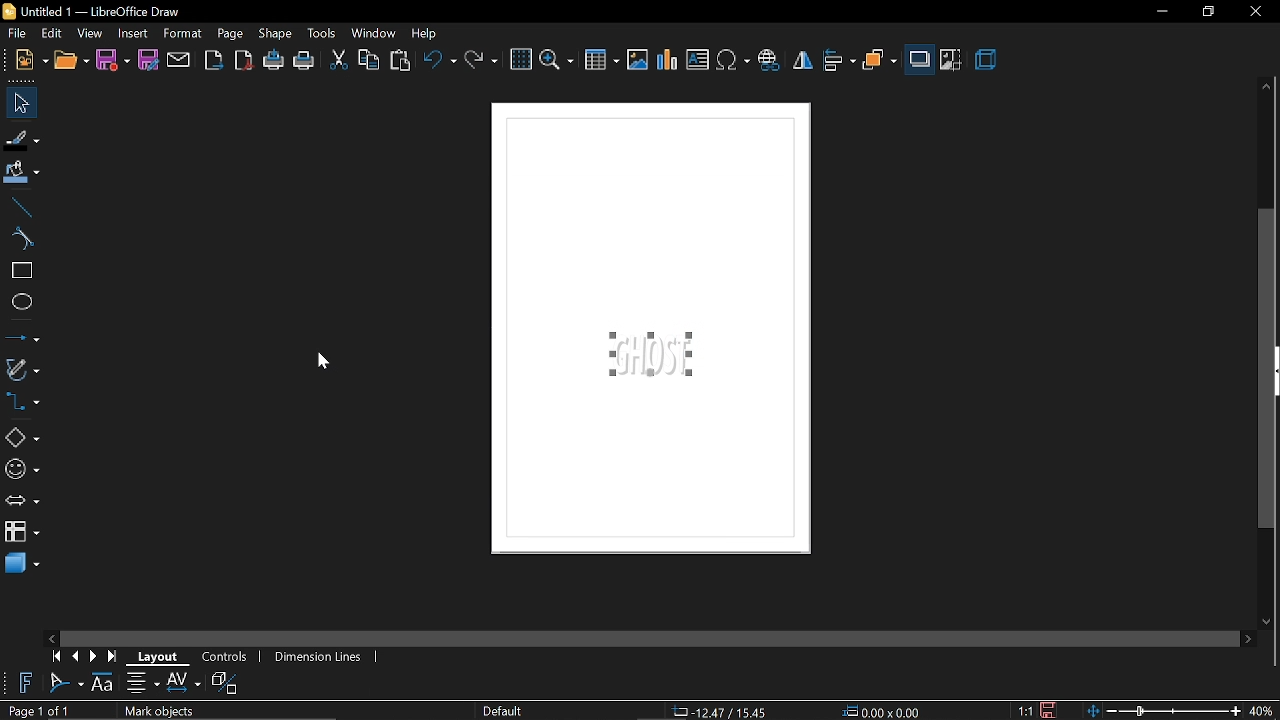 The width and height of the screenshot is (1280, 720). Describe the element at coordinates (161, 656) in the screenshot. I see `layout` at that location.